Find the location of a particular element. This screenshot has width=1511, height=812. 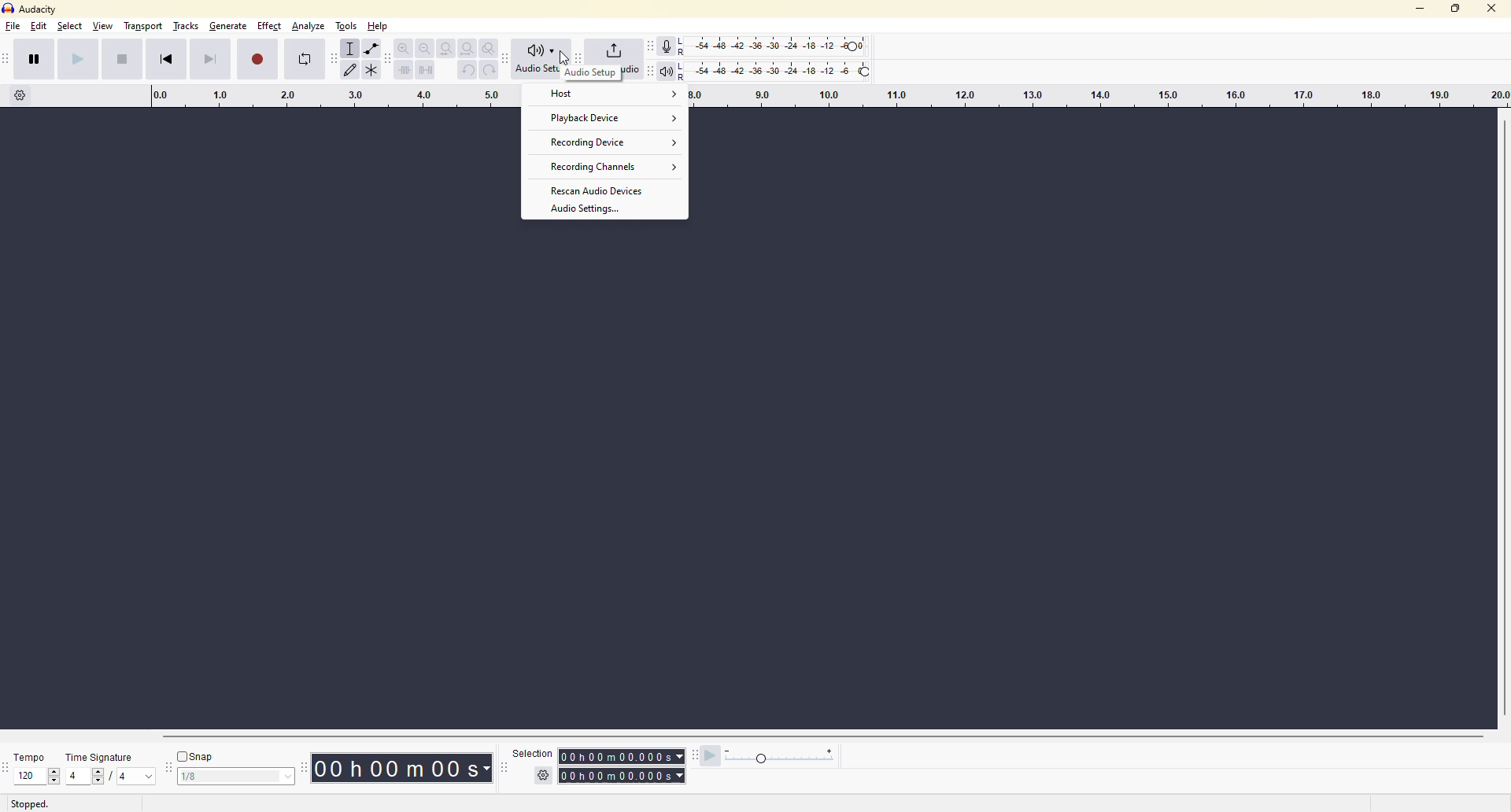

Rescan Audio Devices is located at coordinates (593, 189).